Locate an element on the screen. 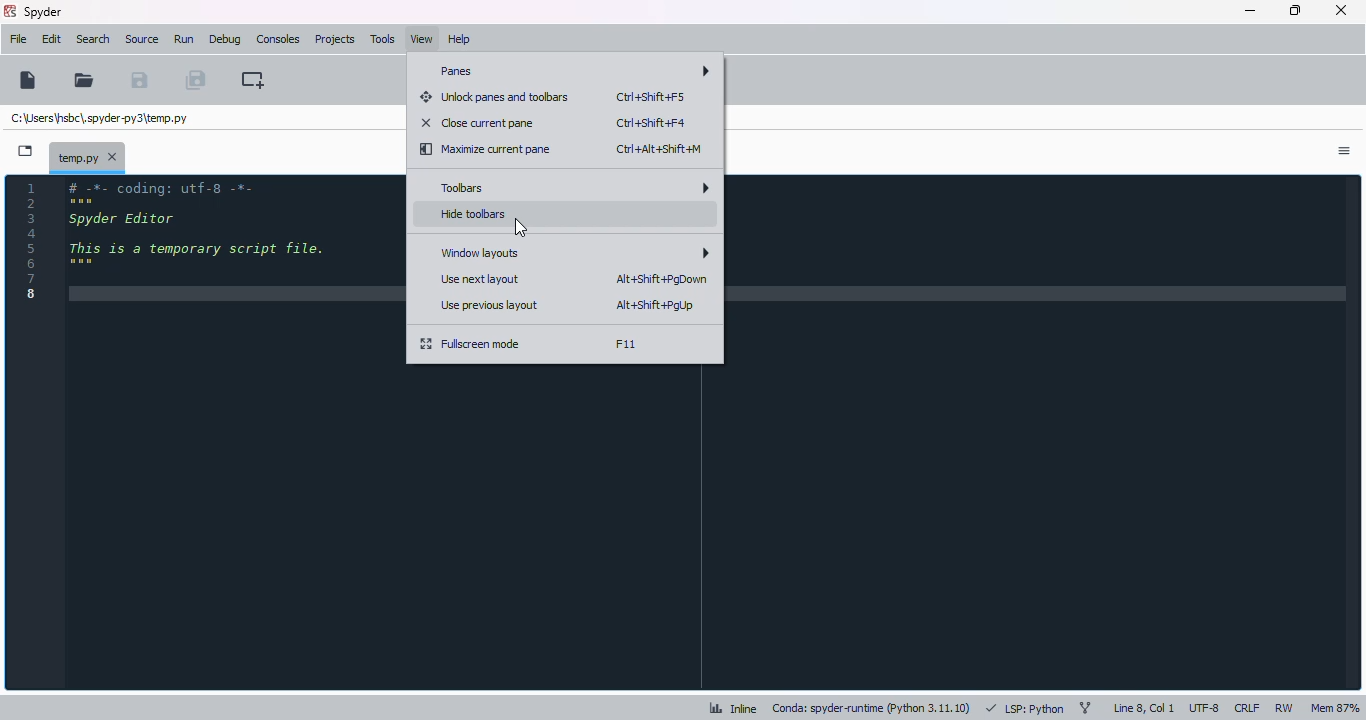 The height and width of the screenshot is (720, 1366). LSP: python is located at coordinates (1024, 707).